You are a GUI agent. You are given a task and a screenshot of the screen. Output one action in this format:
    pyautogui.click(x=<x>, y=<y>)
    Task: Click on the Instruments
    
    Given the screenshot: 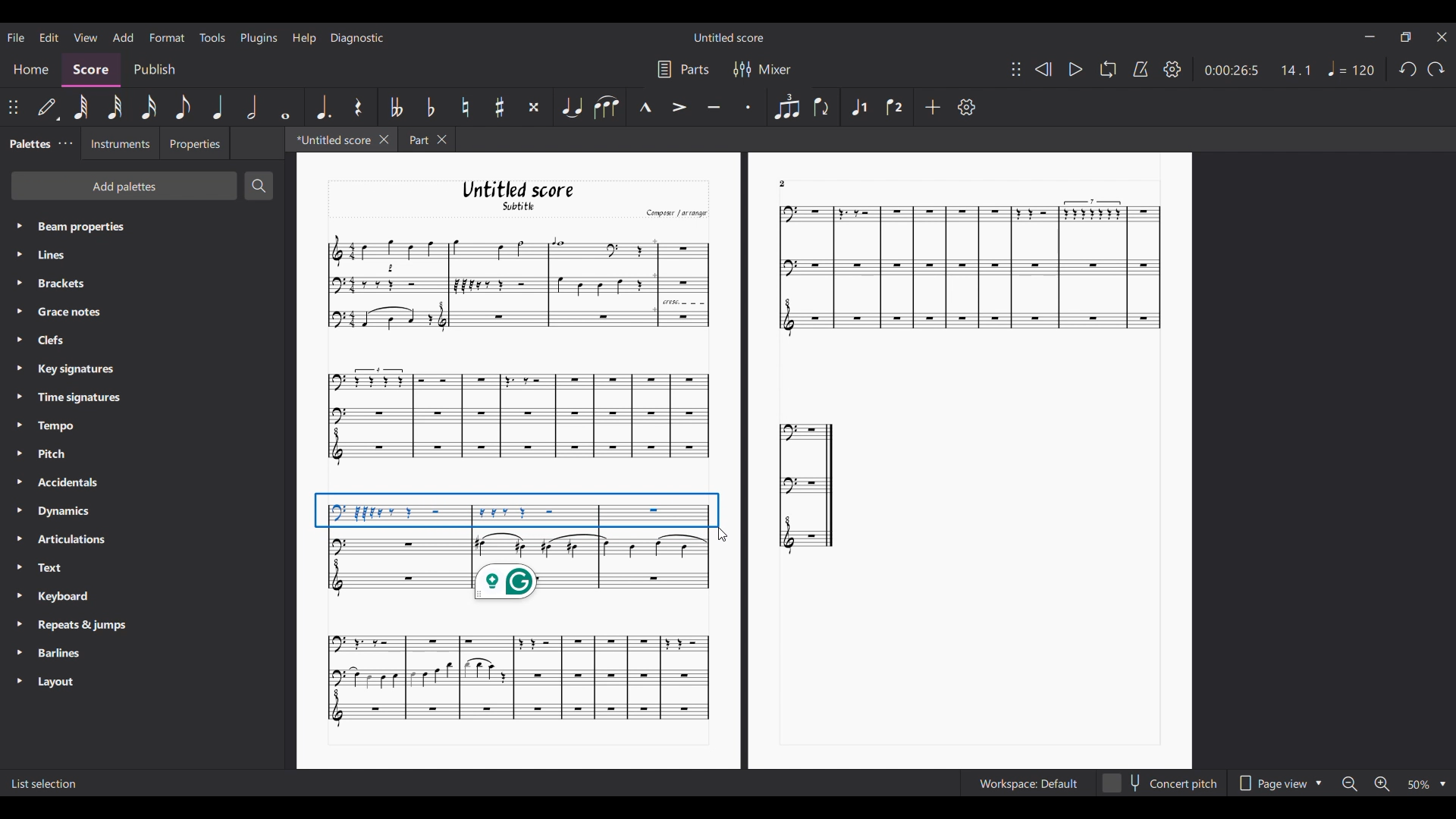 What is the action you would take?
    pyautogui.click(x=116, y=143)
    